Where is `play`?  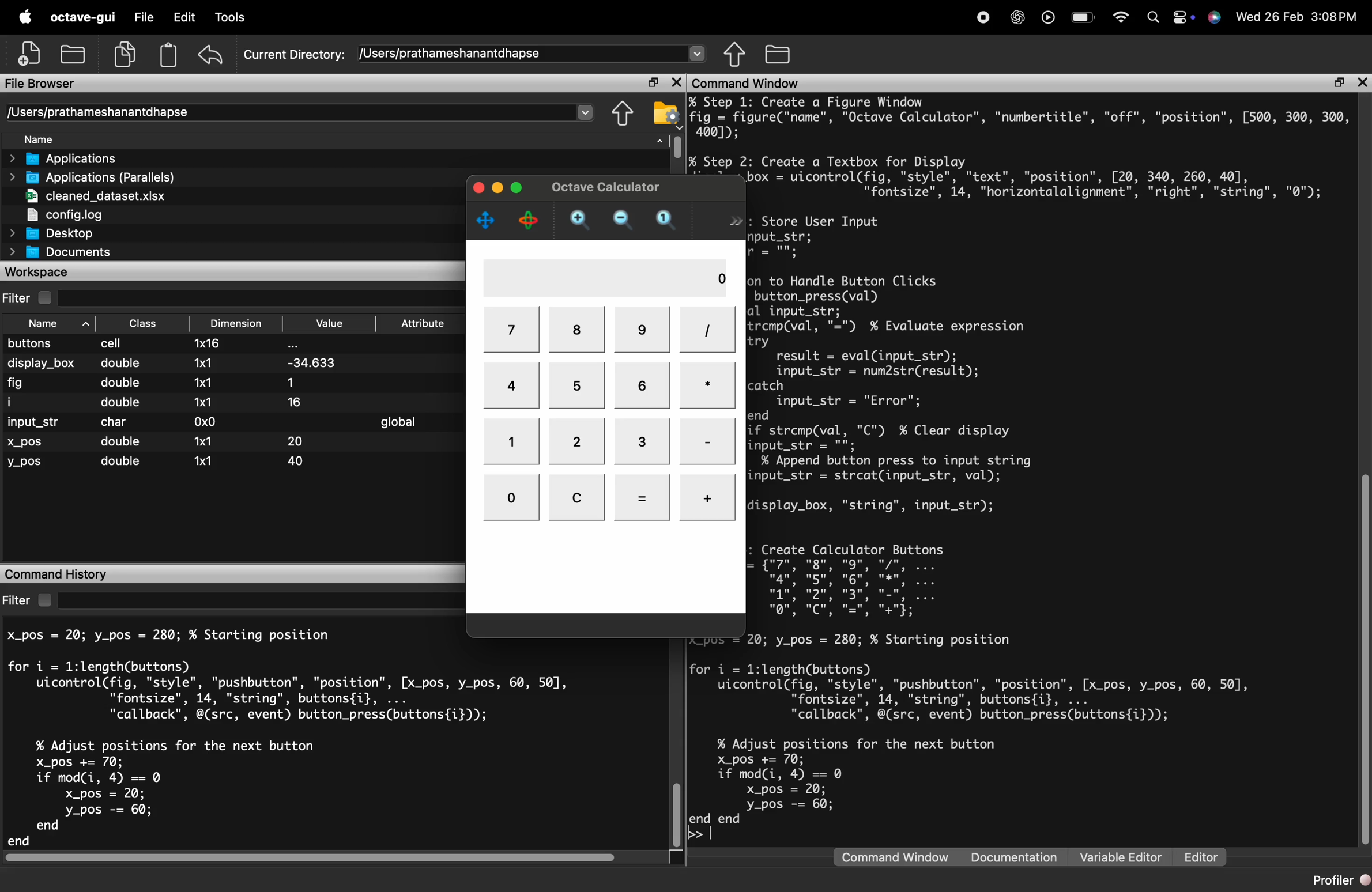
play is located at coordinates (1047, 17).